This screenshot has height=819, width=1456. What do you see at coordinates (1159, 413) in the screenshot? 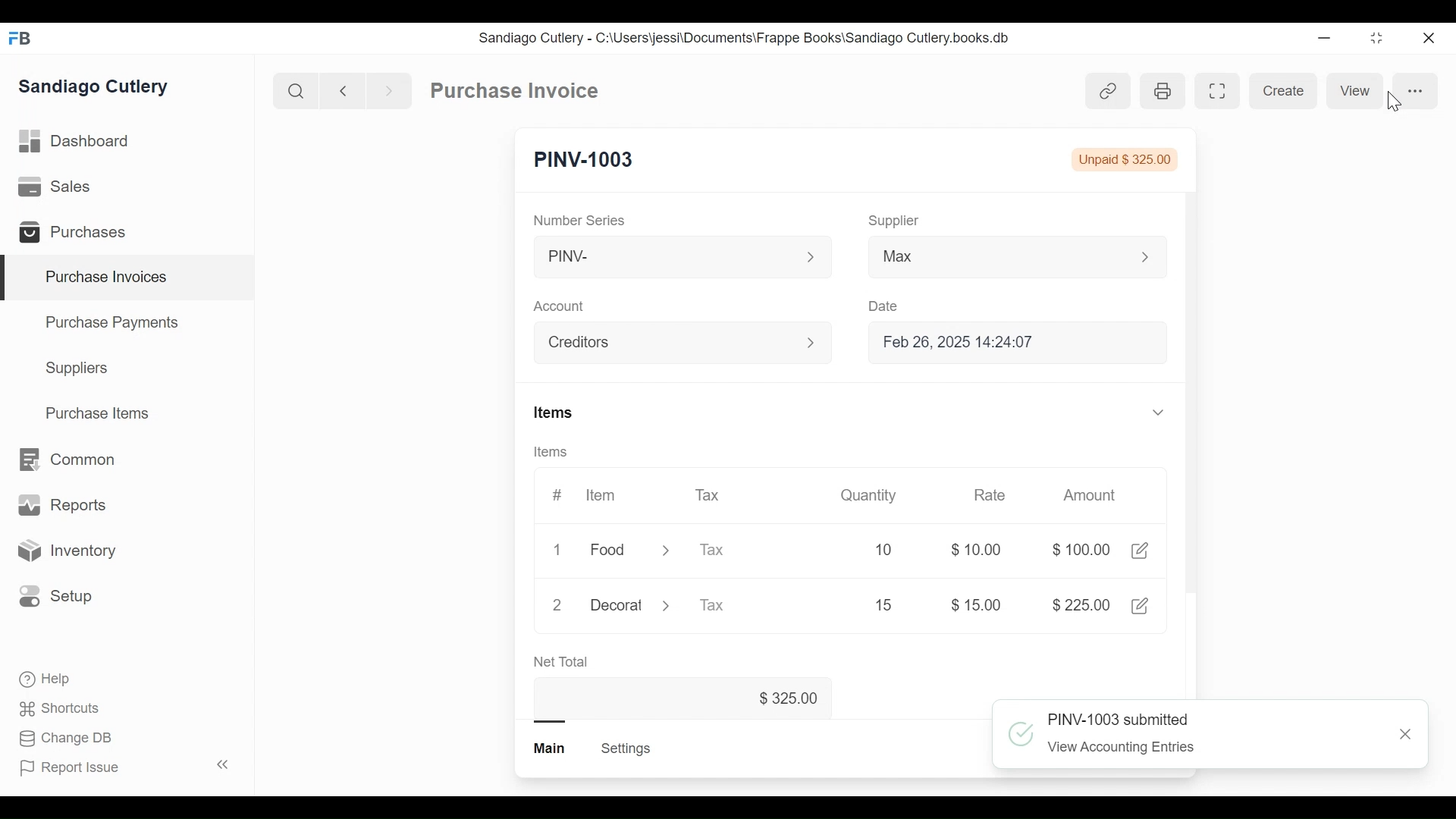
I see `Expand` at bounding box center [1159, 413].